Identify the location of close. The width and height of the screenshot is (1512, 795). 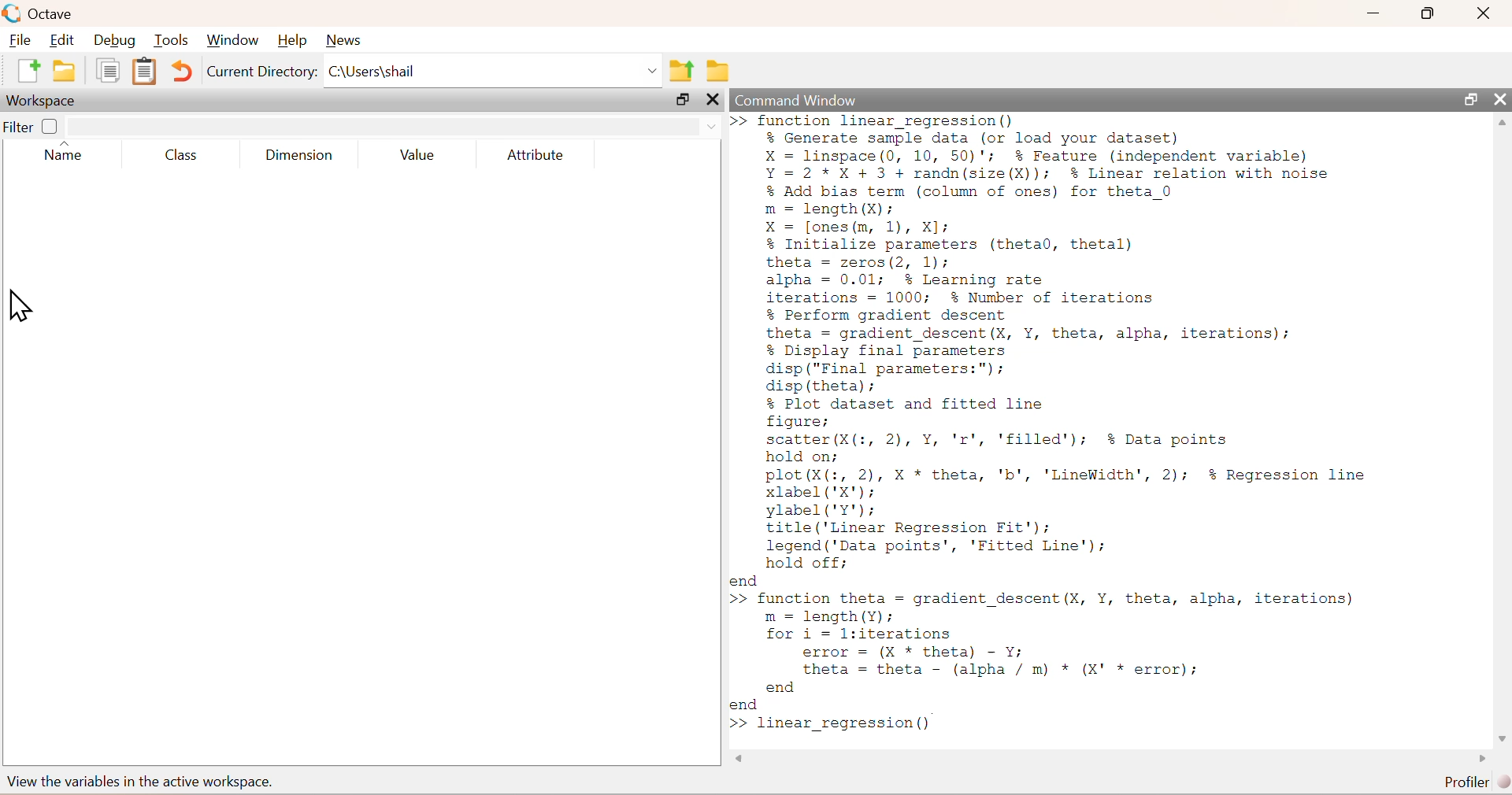
(1502, 99).